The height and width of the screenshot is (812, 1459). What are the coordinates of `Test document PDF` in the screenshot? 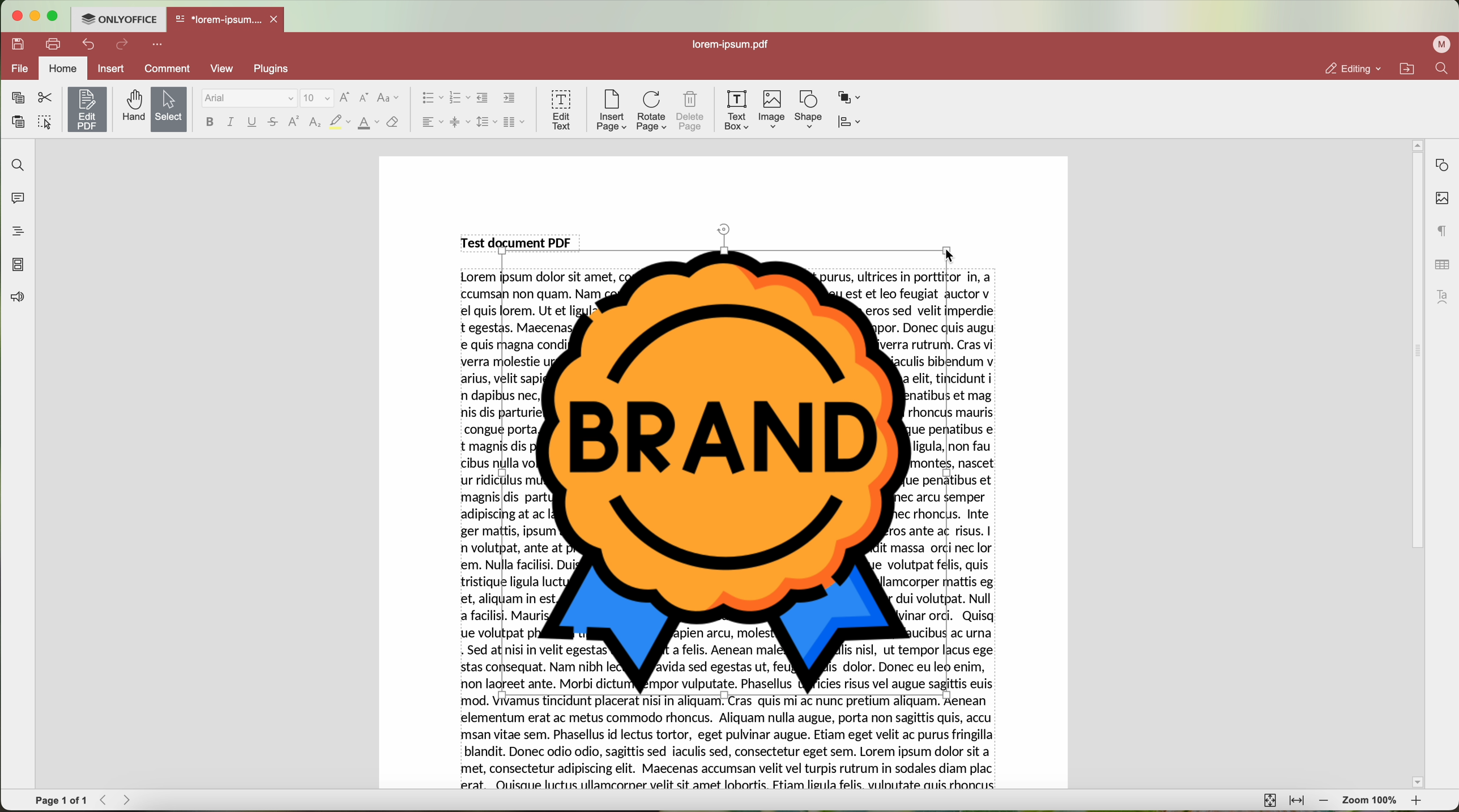 It's located at (519, 242).